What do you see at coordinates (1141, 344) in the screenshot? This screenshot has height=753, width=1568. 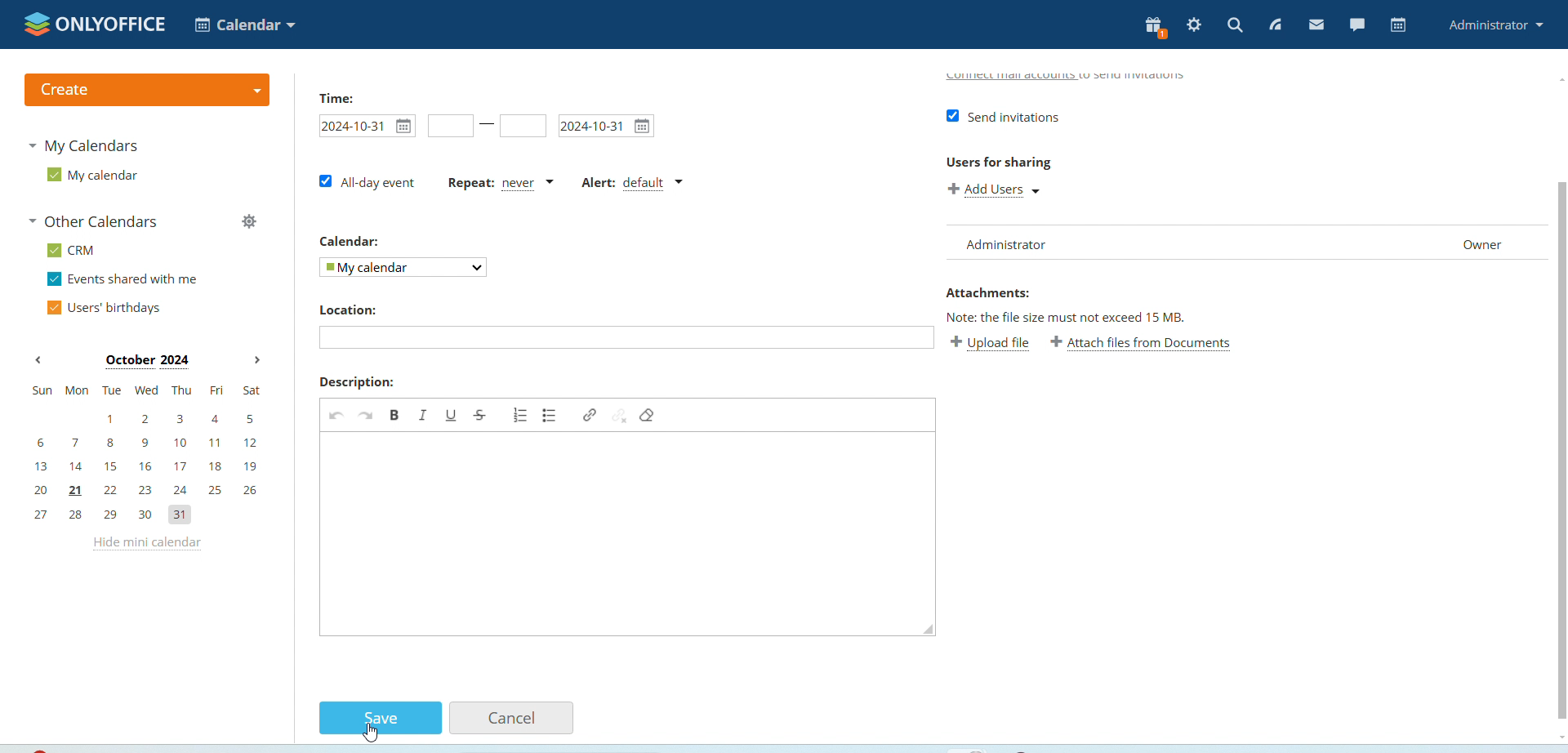 I see `Attach file from documents` at bounding box center [1141, 344].